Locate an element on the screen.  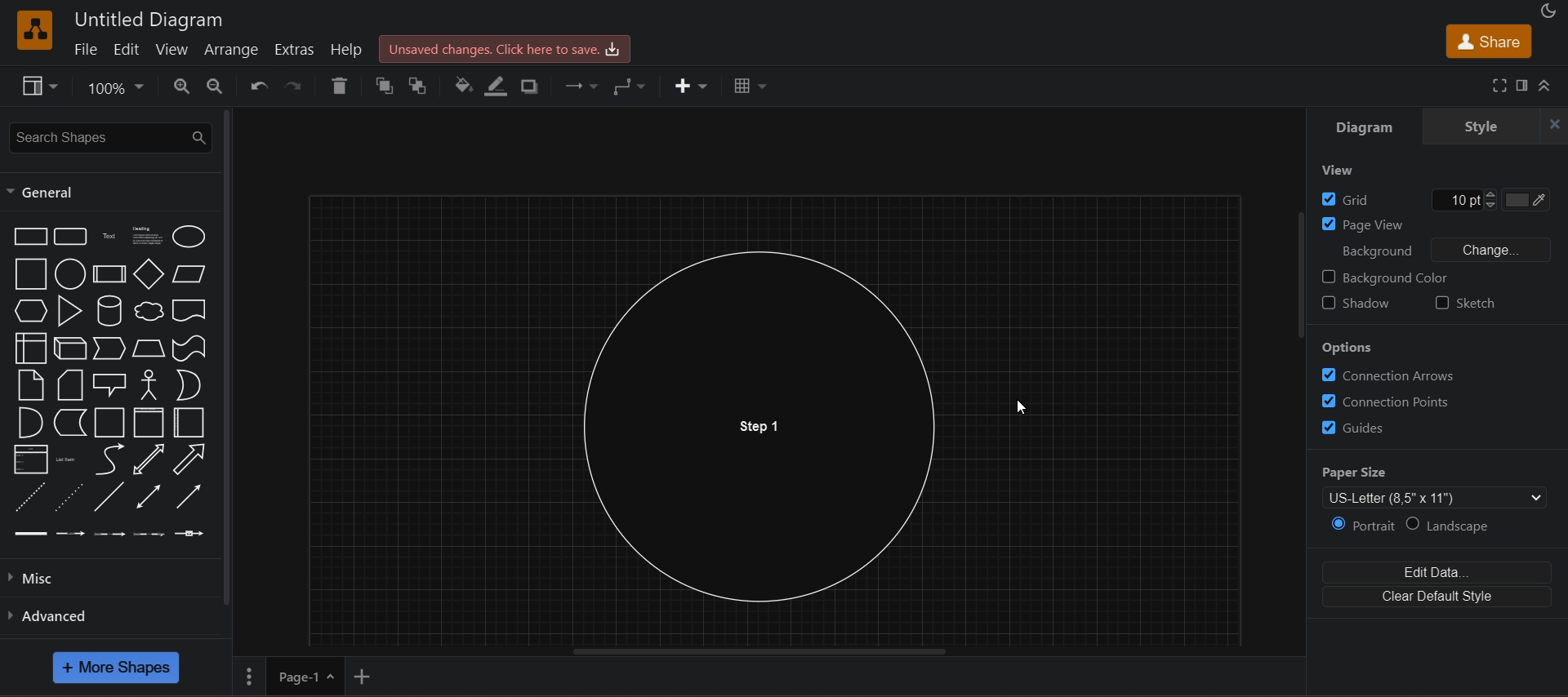
heading is located at coordinates (146, 238).